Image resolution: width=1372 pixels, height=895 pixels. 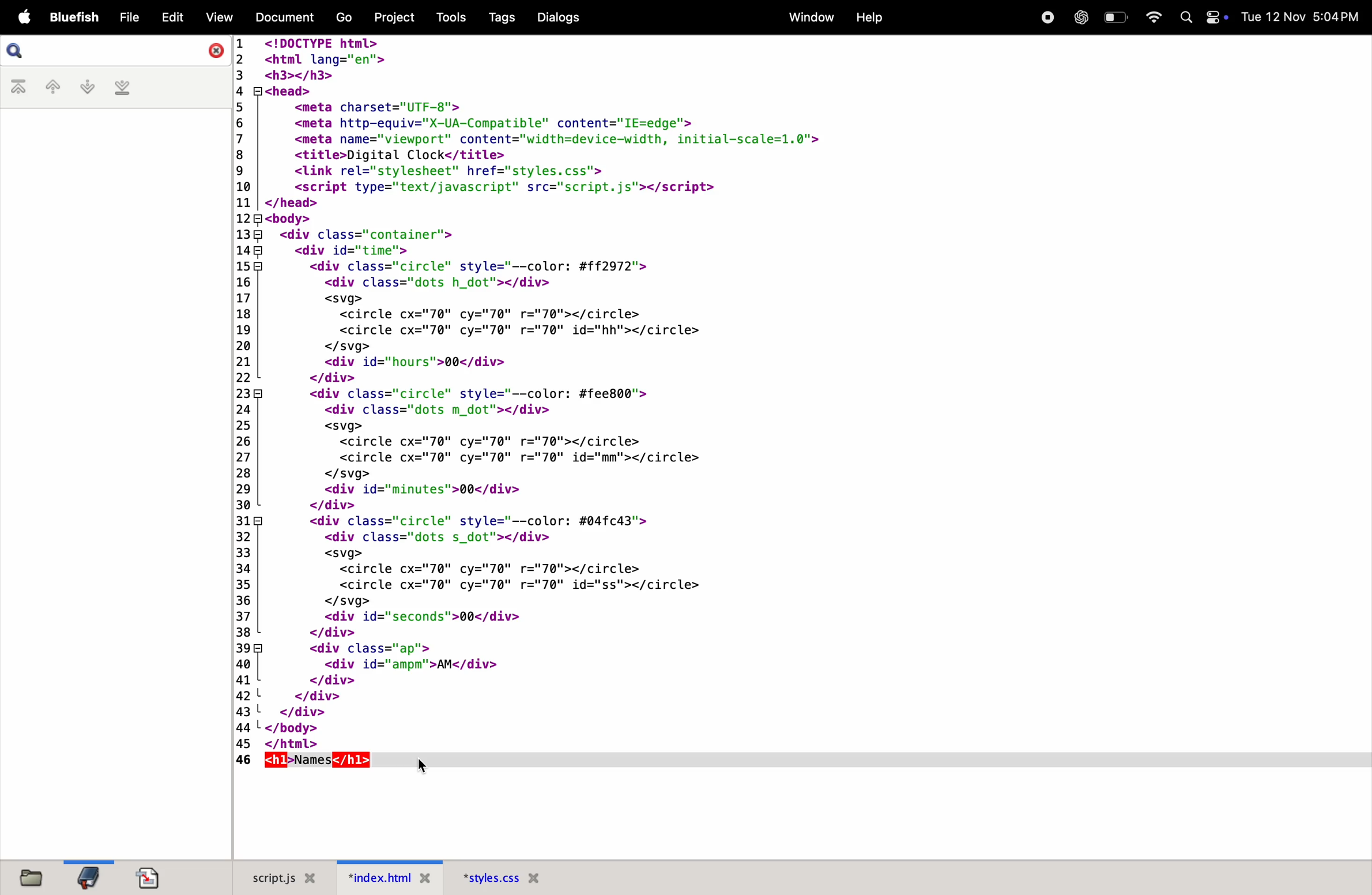 What do you see at coordinates (281, 17) in the screenshot?
I see `document` at bounding box center [281, 17].